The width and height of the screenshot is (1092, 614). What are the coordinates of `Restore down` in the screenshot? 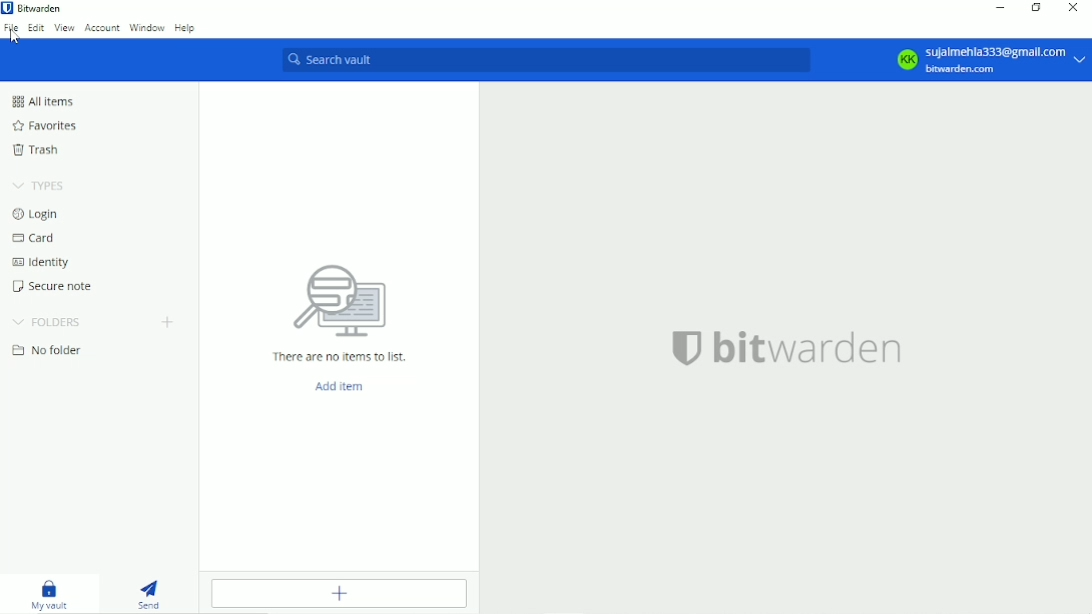 It's located at (1037, 8).